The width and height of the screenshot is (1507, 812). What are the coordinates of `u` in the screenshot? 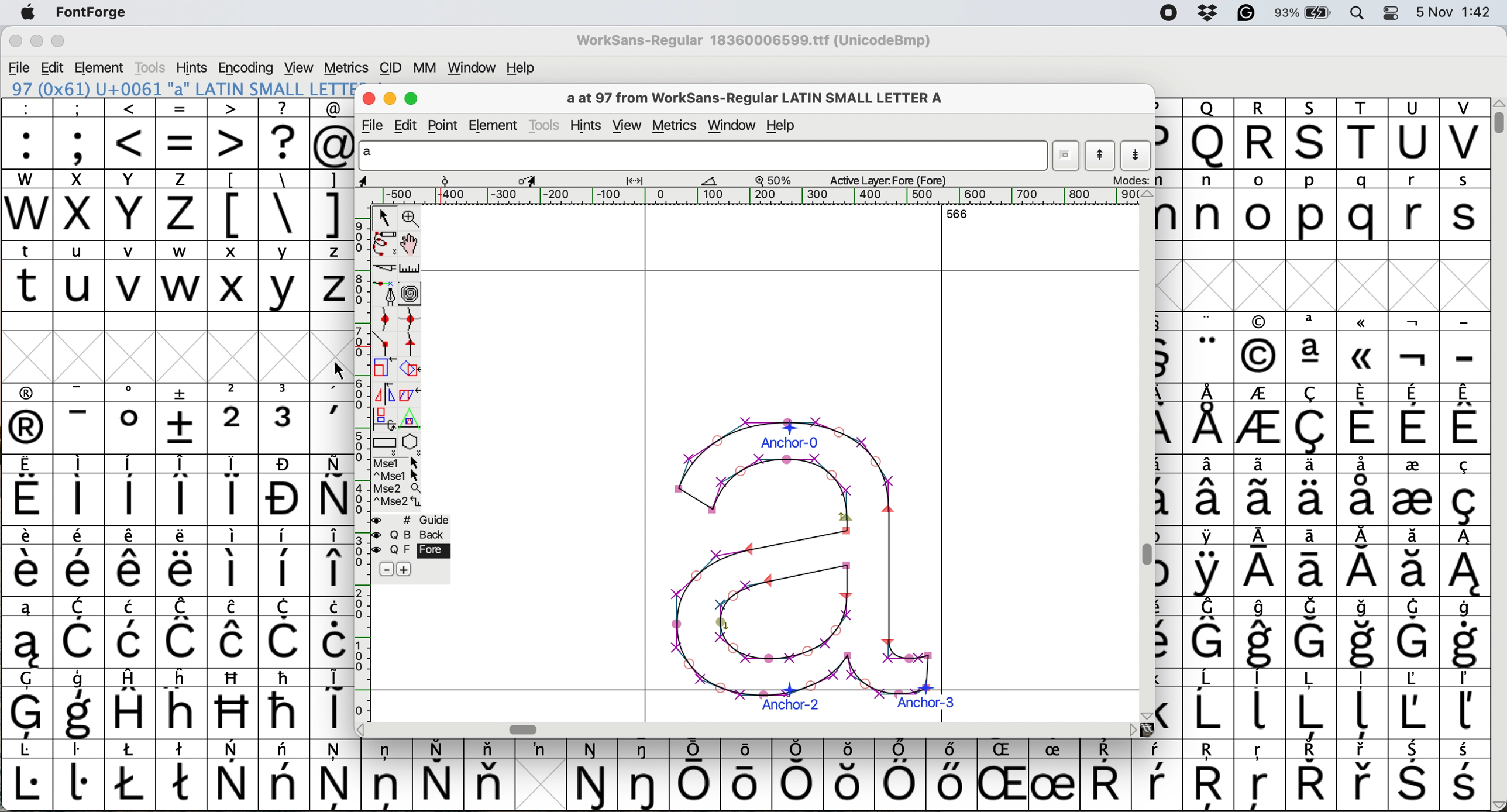 It's located at (80, 276).